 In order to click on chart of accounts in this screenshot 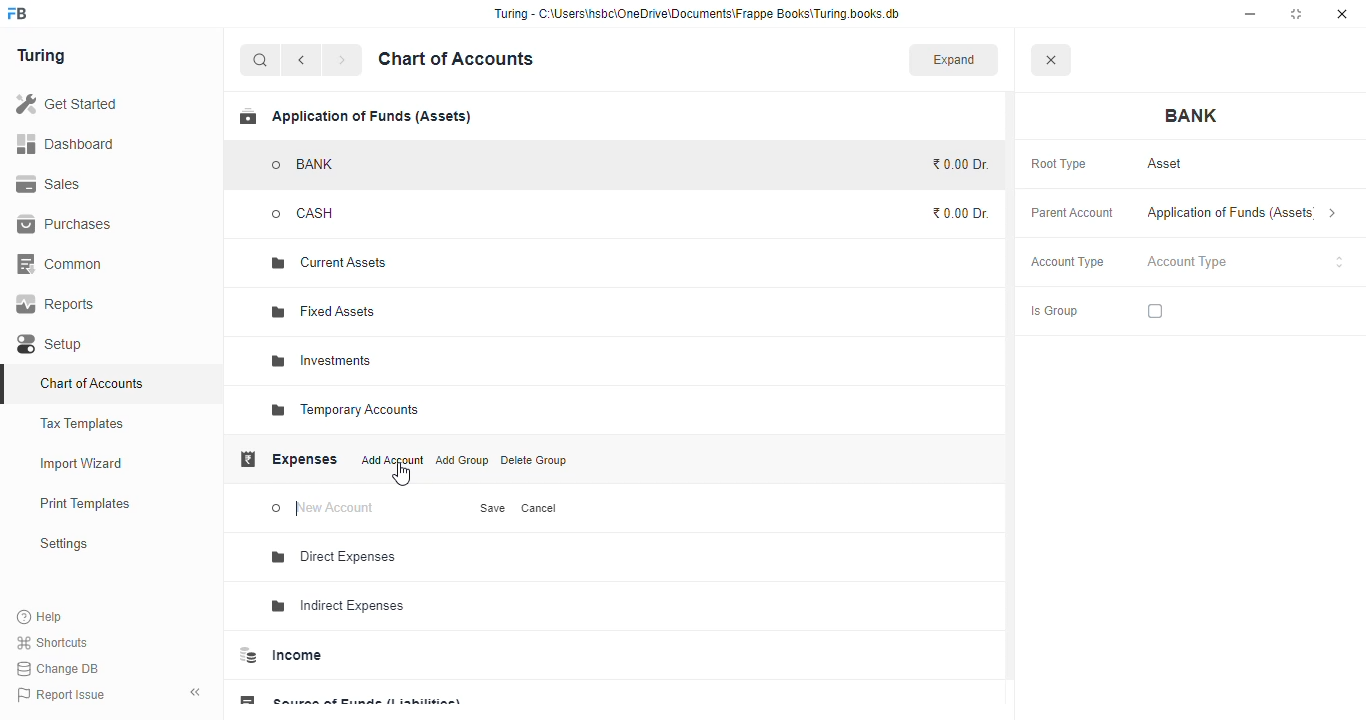, I will do `click(456, 59)`.